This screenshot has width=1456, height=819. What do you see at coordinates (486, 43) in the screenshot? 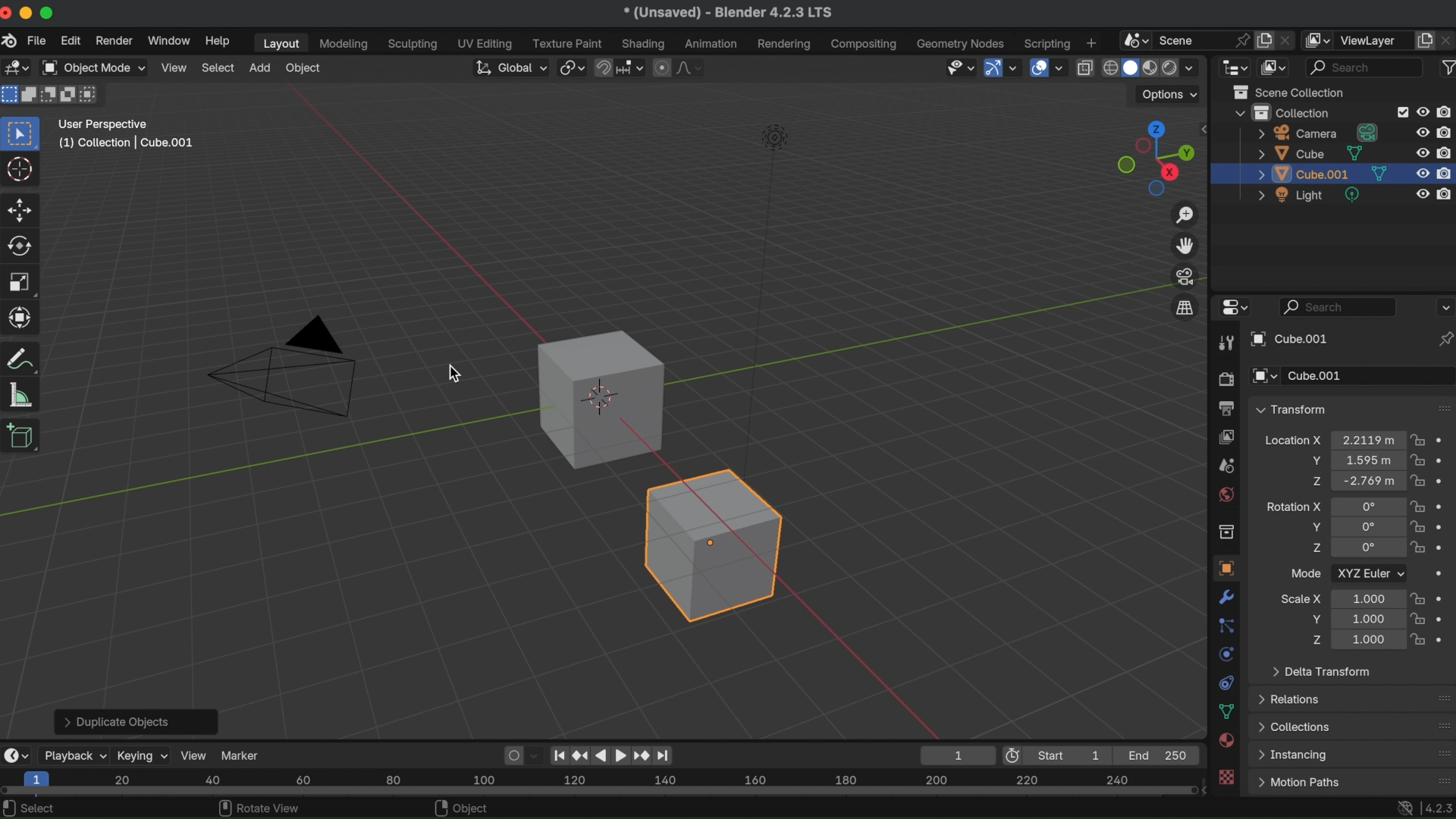
I see `UV editing` at bounding box center [486, 43].